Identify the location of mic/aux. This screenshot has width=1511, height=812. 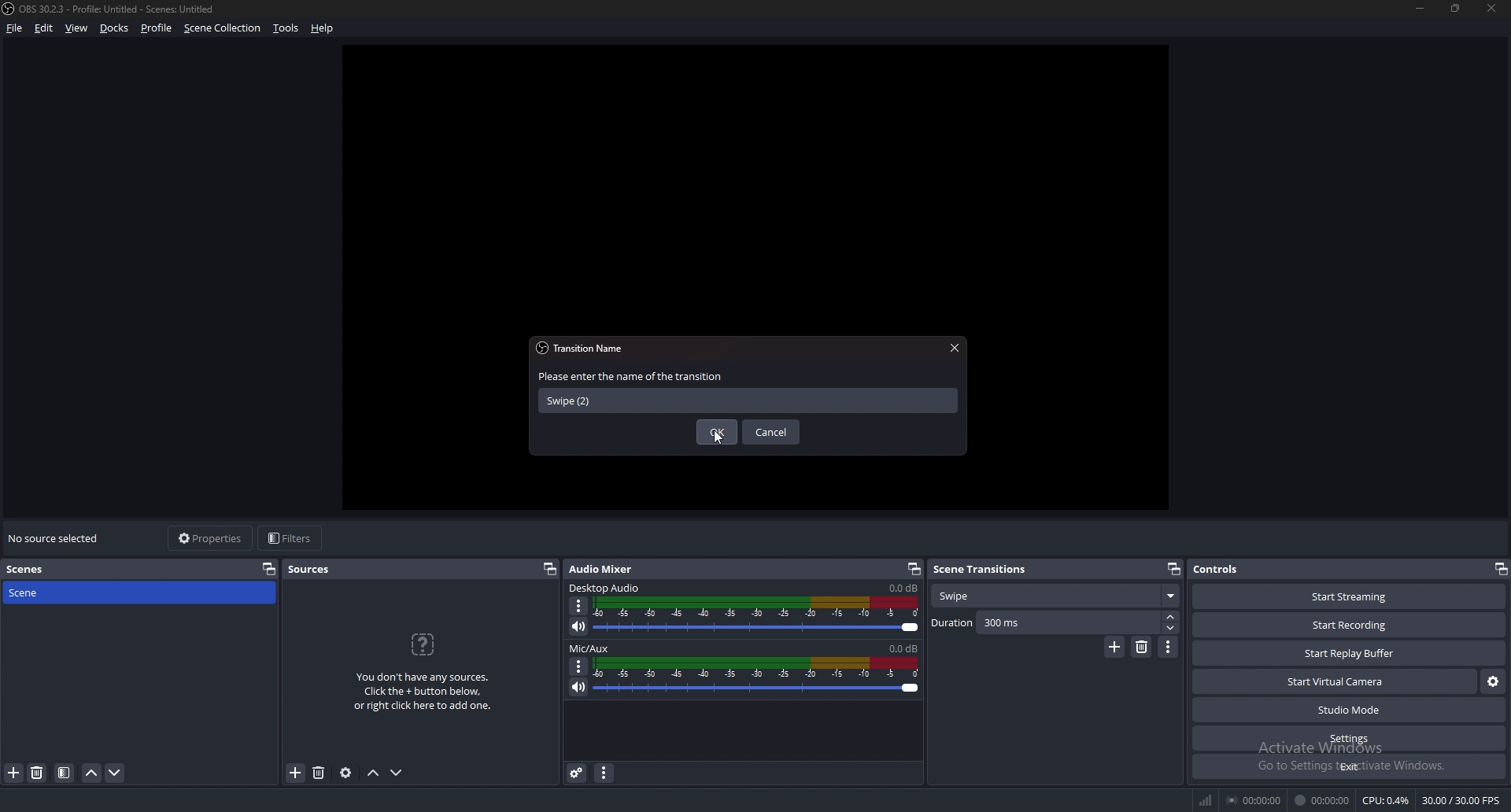
(593, 647).